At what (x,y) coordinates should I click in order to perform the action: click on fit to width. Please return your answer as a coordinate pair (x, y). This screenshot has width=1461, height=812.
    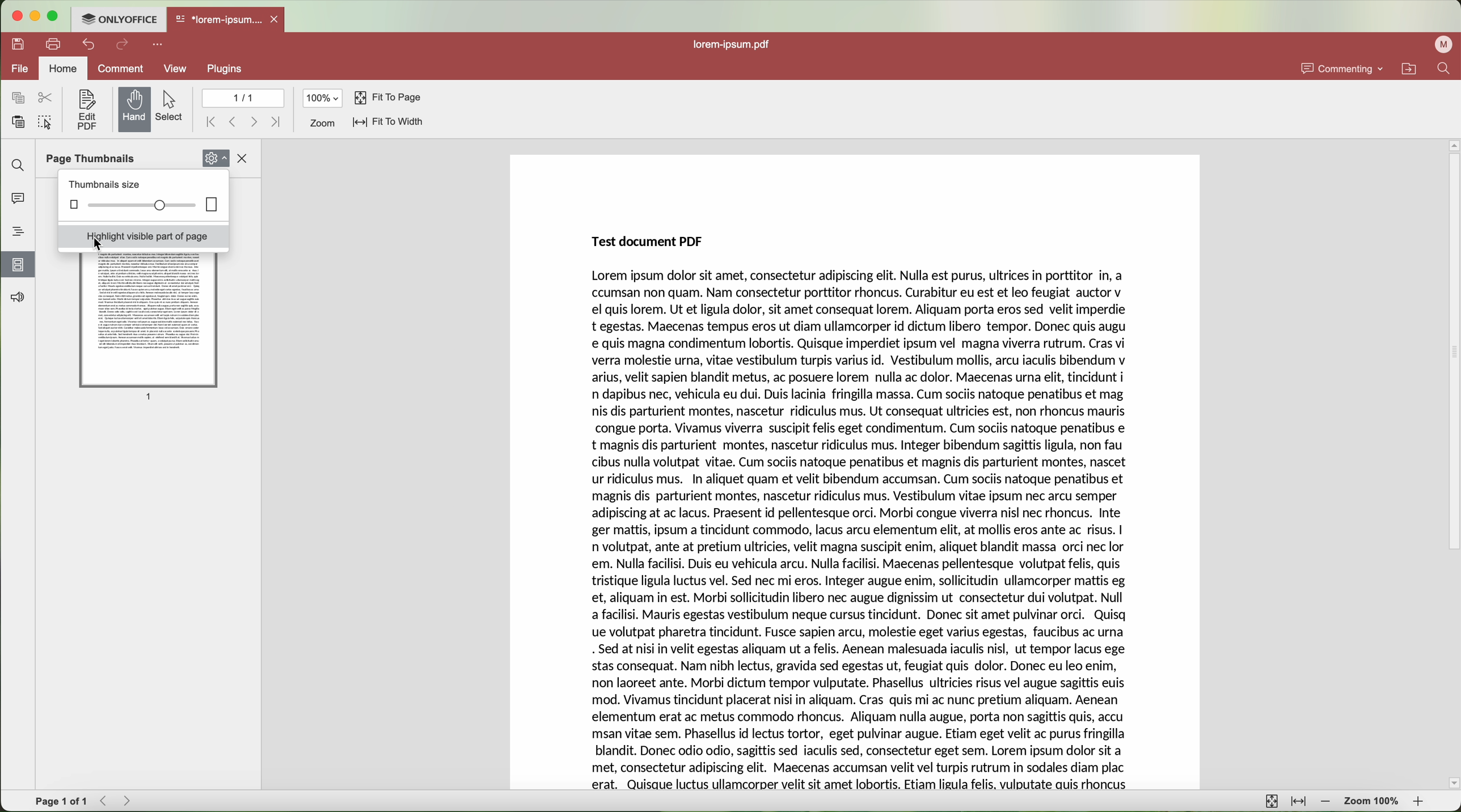
    Looking at the image, I should click on (390, 123).